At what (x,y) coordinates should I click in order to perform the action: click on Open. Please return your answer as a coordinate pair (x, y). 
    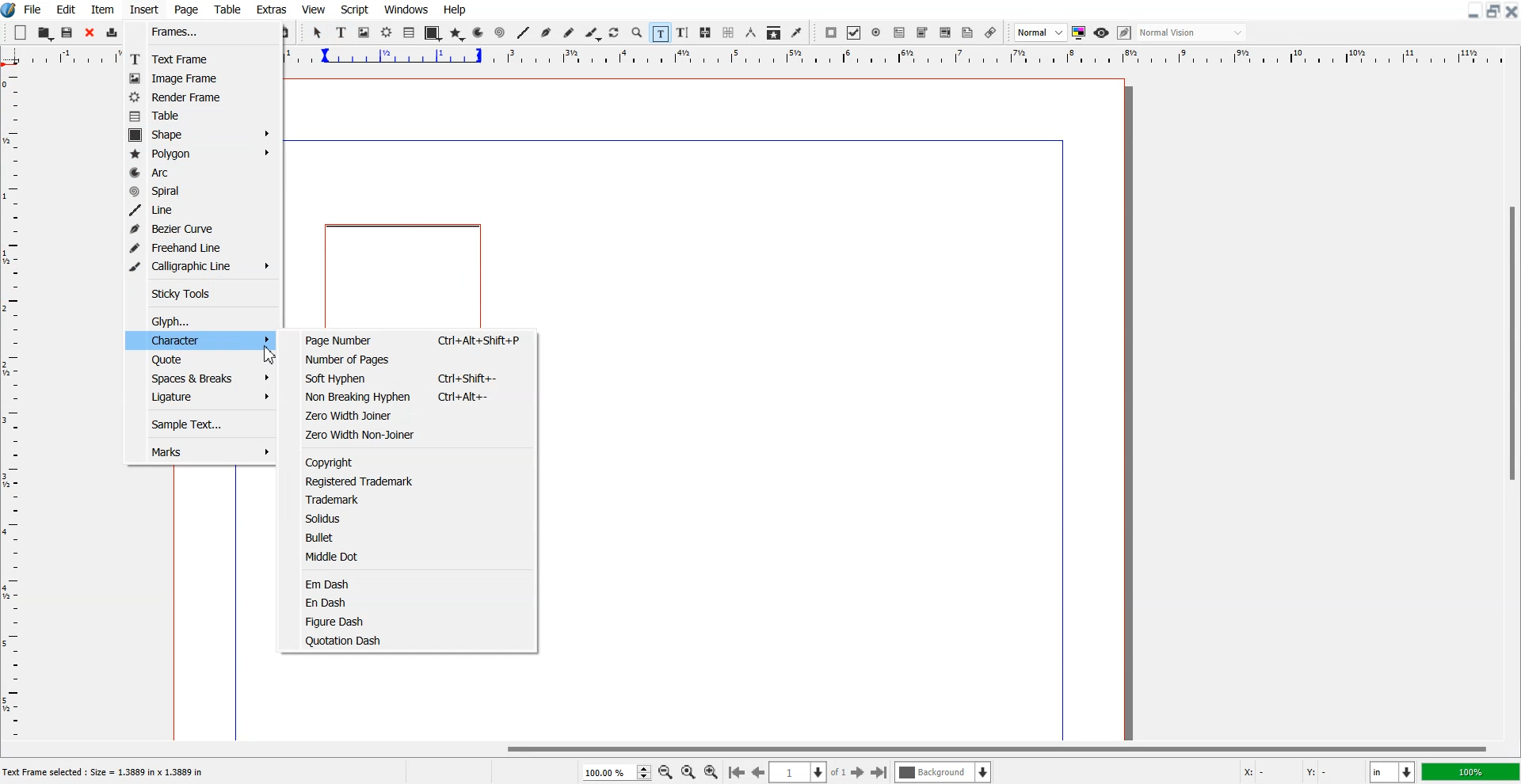
    Looking at the image, I should click on (46, 33).